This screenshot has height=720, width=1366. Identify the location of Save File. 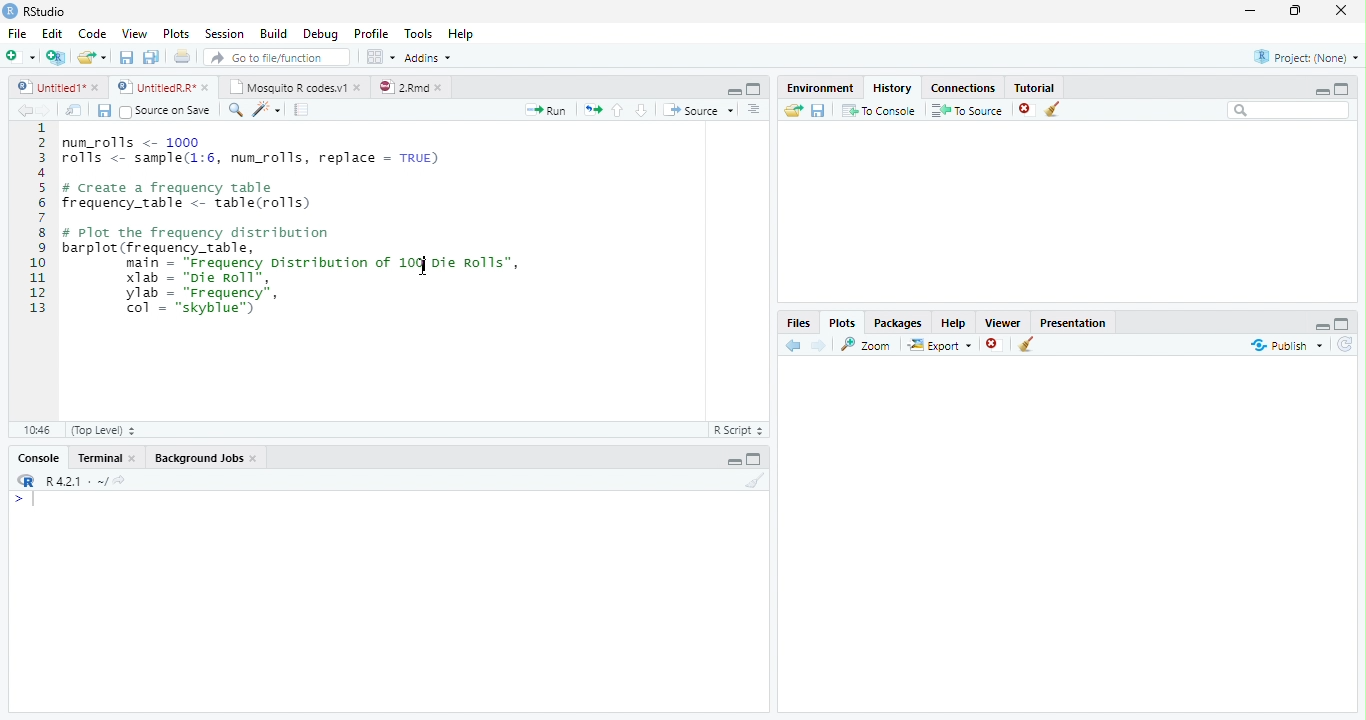
(819, 110).